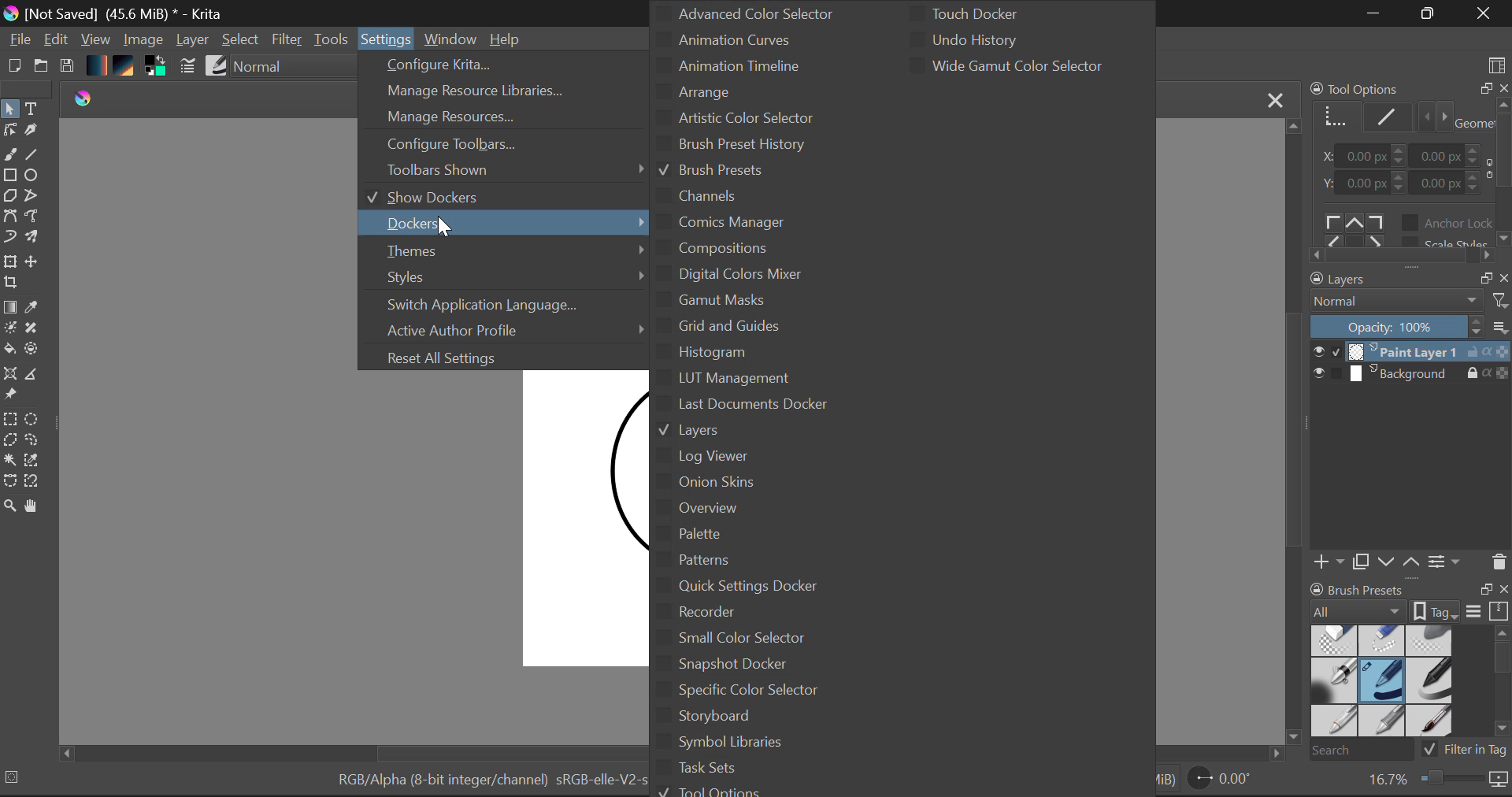 Image resolution: width=1512 pixels, height=797 pixels. I want to click on Styles , so click(506, 279).